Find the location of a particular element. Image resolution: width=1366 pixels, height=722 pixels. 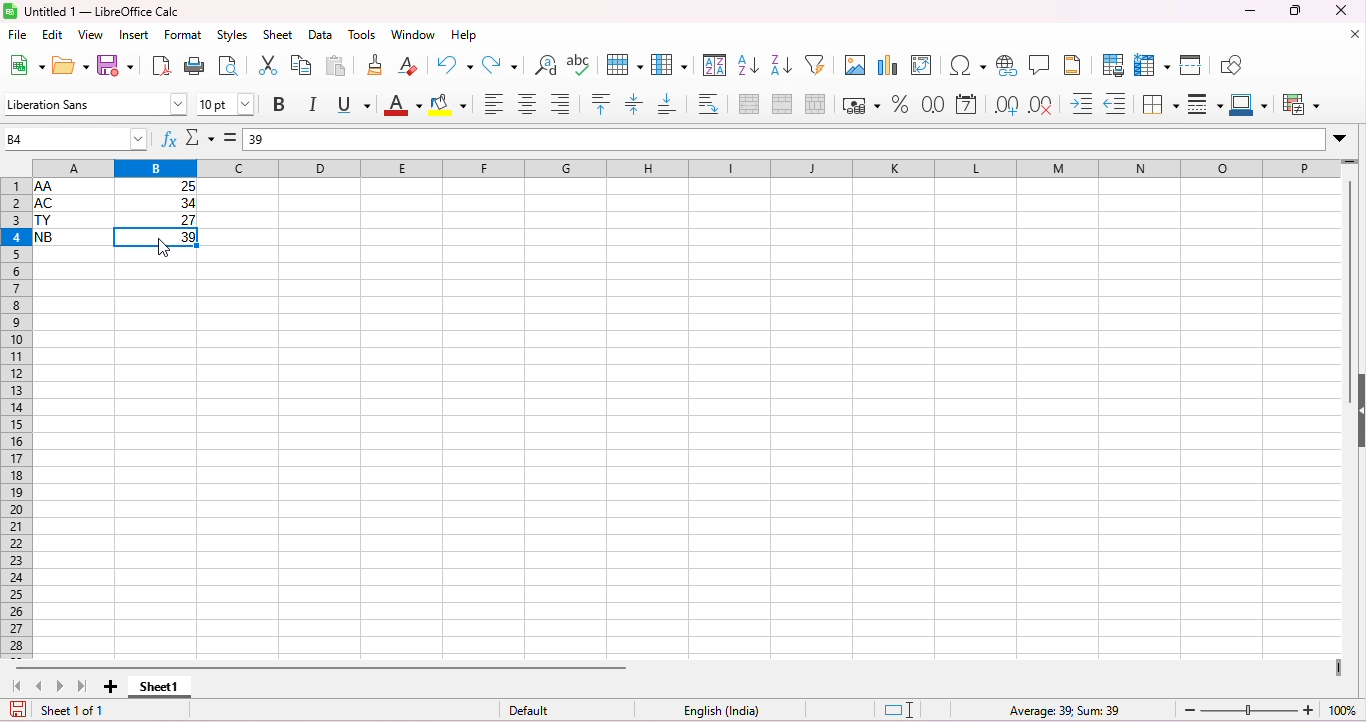

format as percent is located at coordinates (900, 103).